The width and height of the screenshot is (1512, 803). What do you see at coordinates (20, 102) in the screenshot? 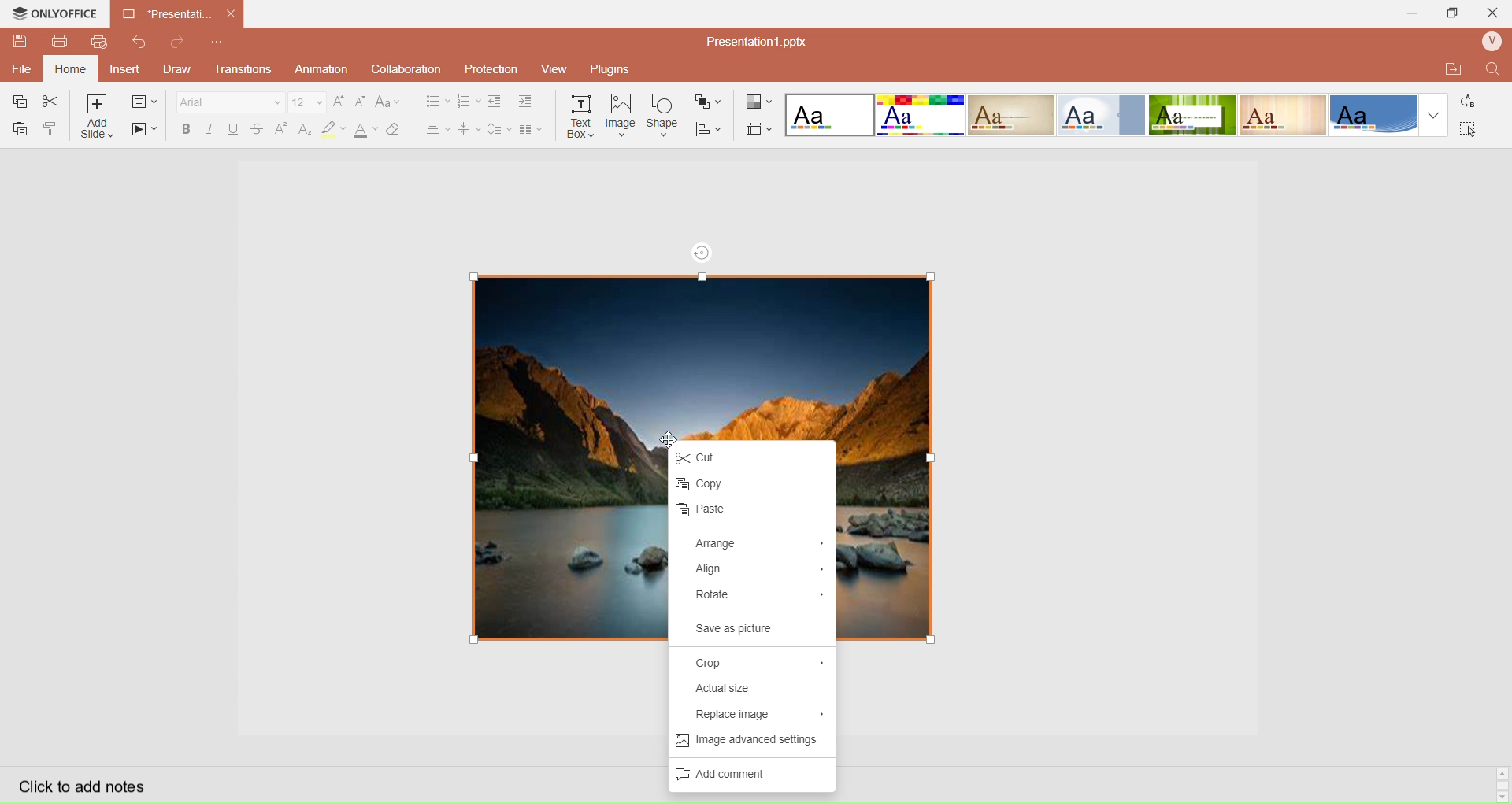
I see `Copy` at bounding box center [20, 102].